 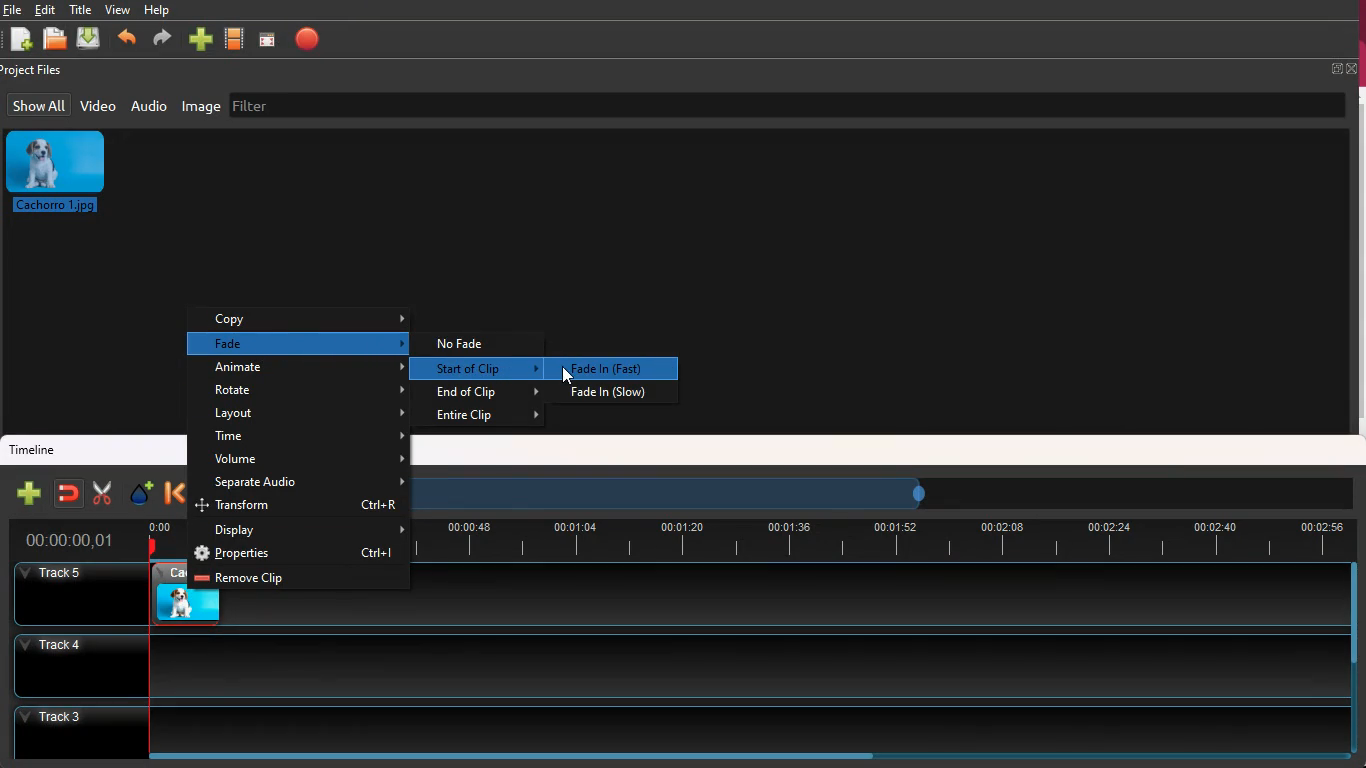 What do you see at coordinates (304, 507) in the screenshot?
I see `transform` at bounding box center [304, 507].